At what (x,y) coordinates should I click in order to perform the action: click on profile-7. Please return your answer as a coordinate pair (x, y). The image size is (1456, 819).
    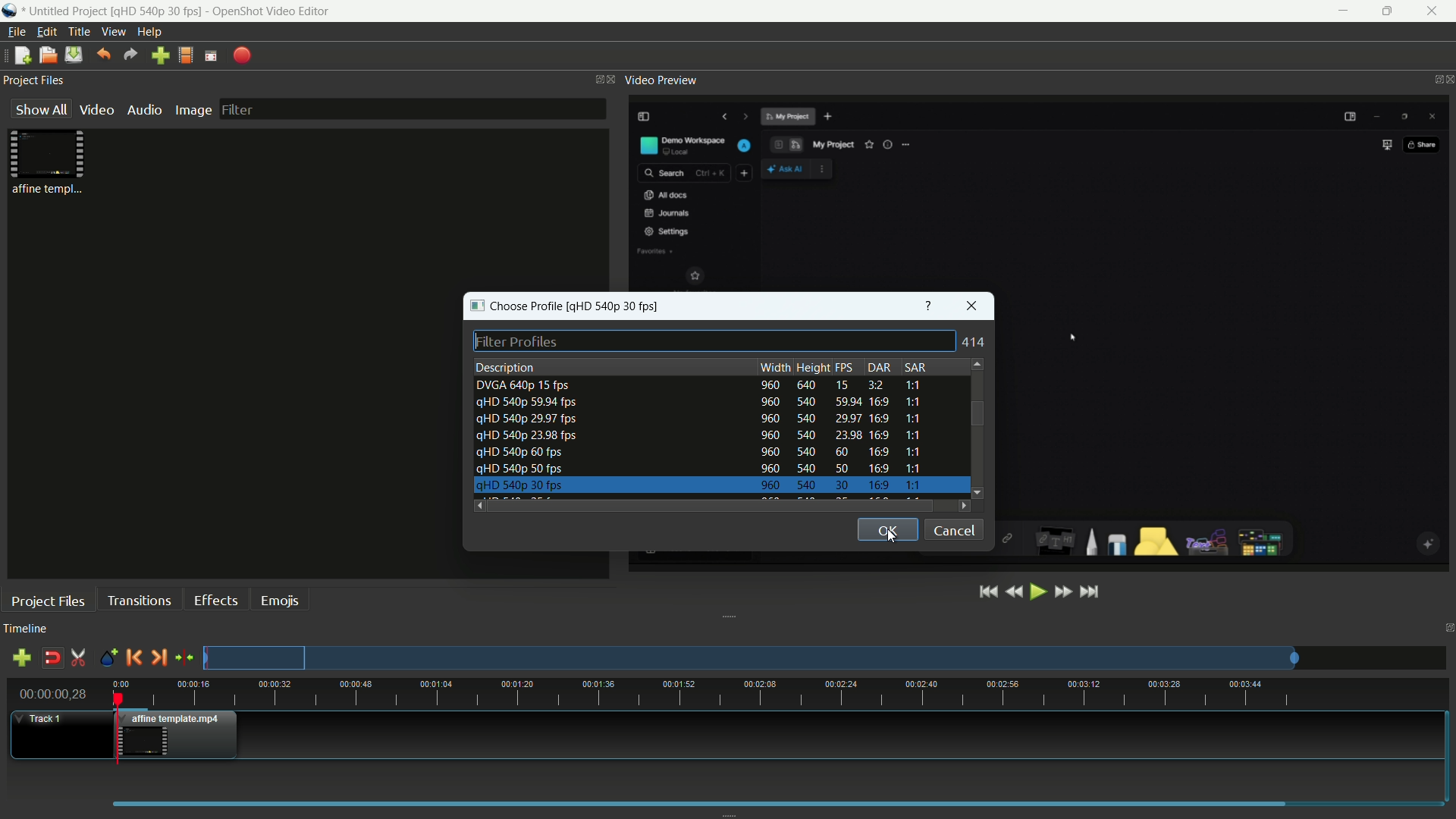
    Looking at the image, I should click on (695, 487).